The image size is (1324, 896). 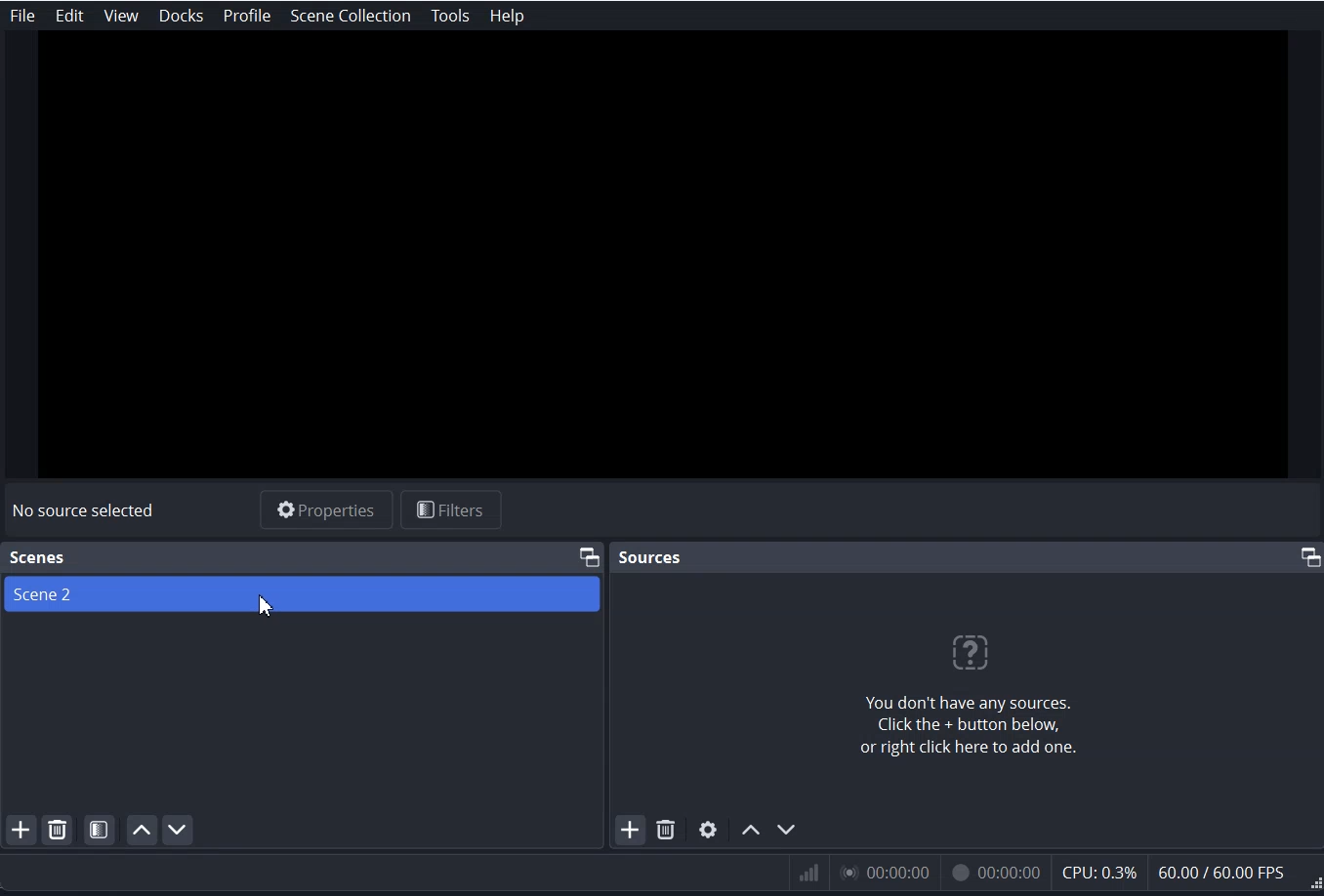 What do you see at coordinates (787, 830) in the screenshot?
I see `Move Source Down` at bounding box center [787, 830].